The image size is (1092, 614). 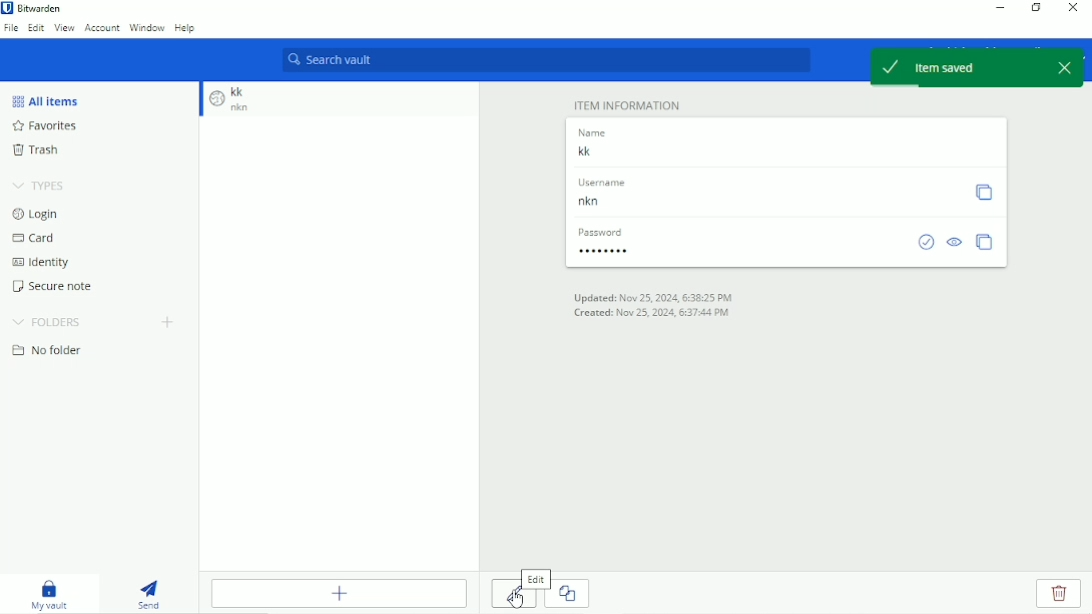 What do you see at coordinates (608, 183) in the screenshot?
I see `username label` at bounding box center [608, 183].